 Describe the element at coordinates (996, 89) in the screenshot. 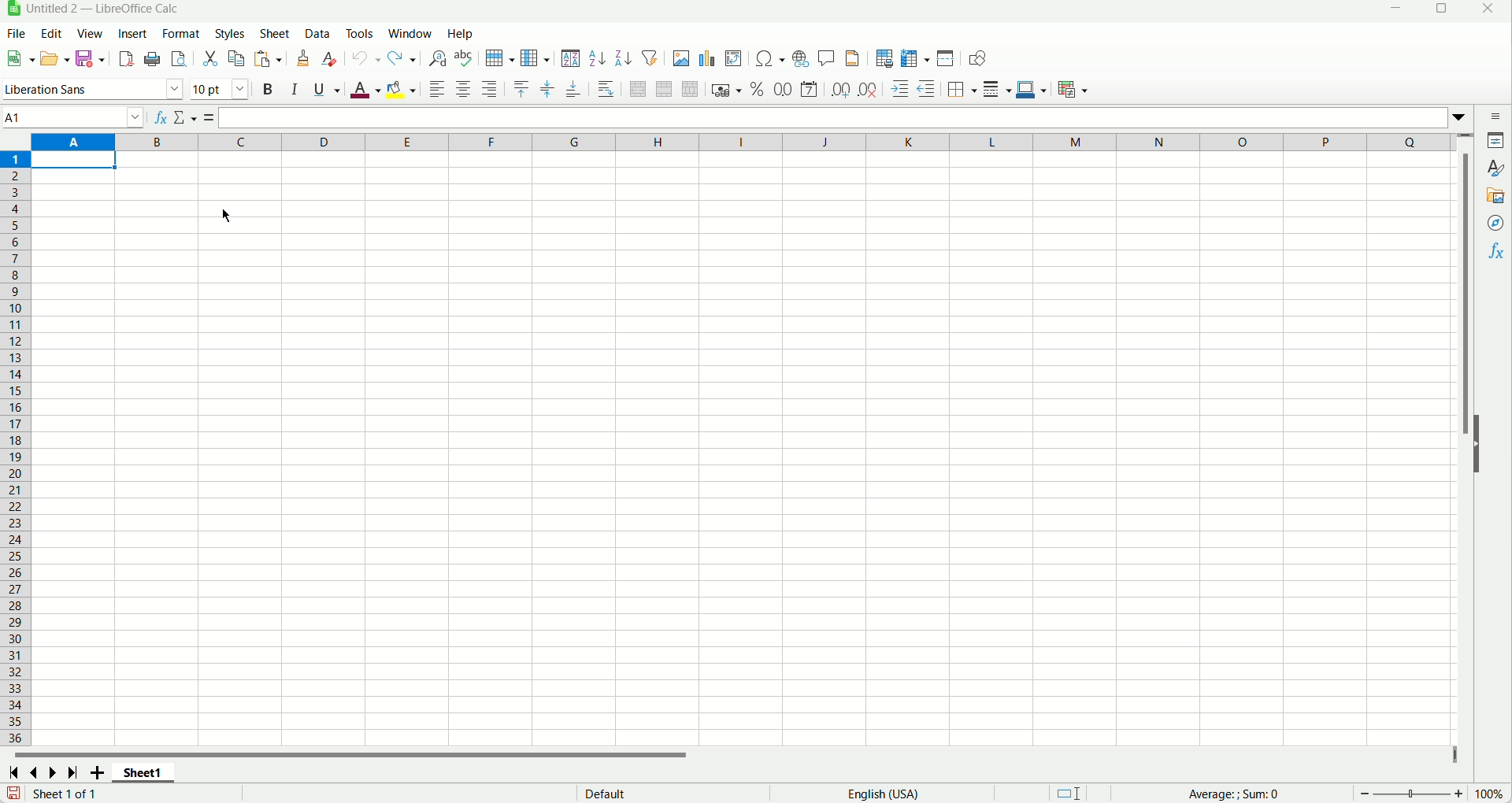

I see `Border style` at that location.